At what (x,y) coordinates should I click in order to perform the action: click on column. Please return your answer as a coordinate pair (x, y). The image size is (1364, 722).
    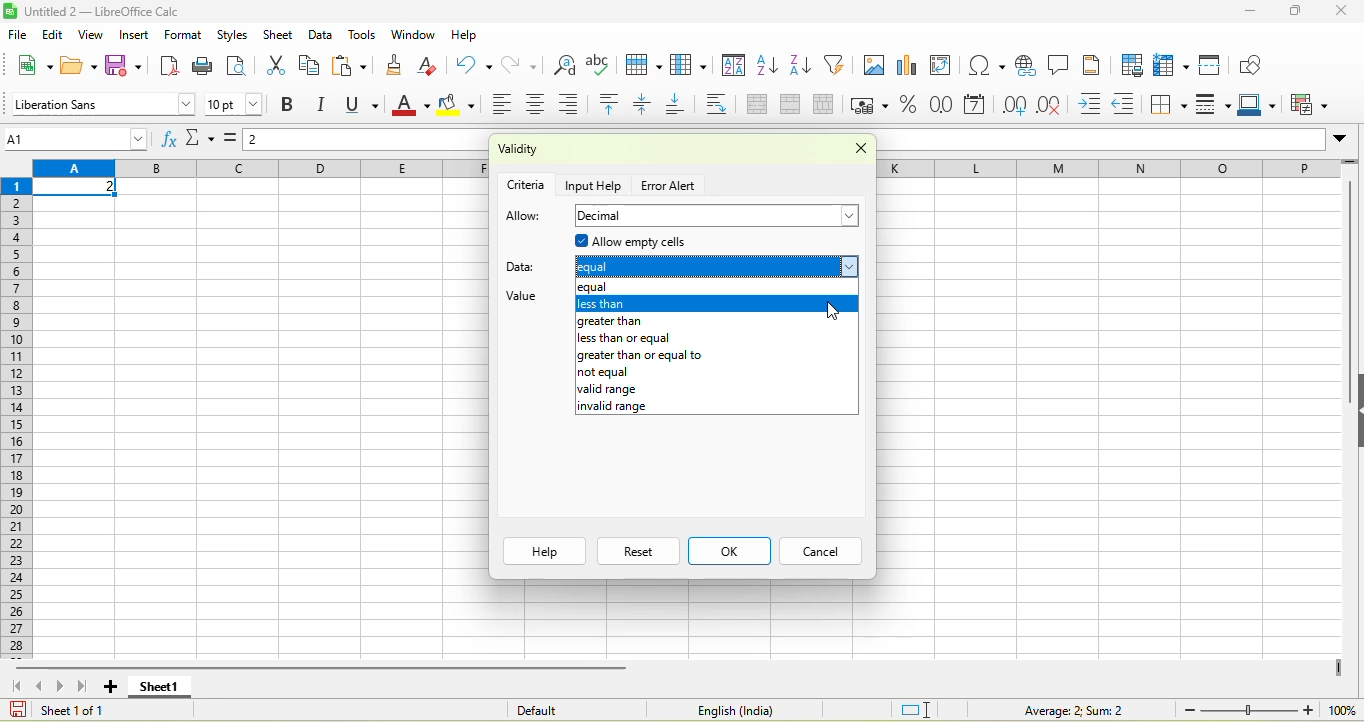
    Looking at the image, I should click on (692, 66).